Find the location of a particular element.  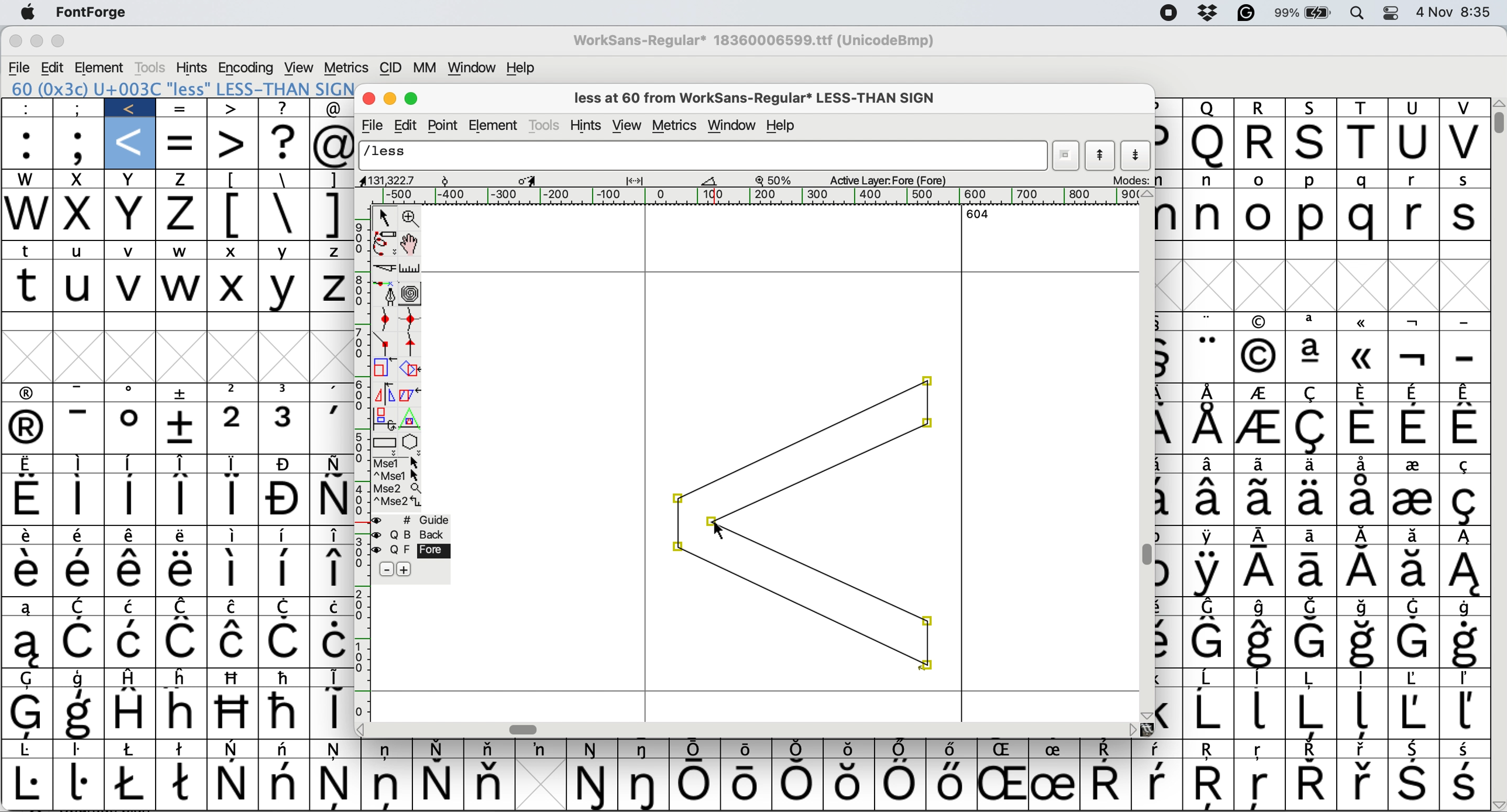

Symbol is located at coordinates (1003, 750).